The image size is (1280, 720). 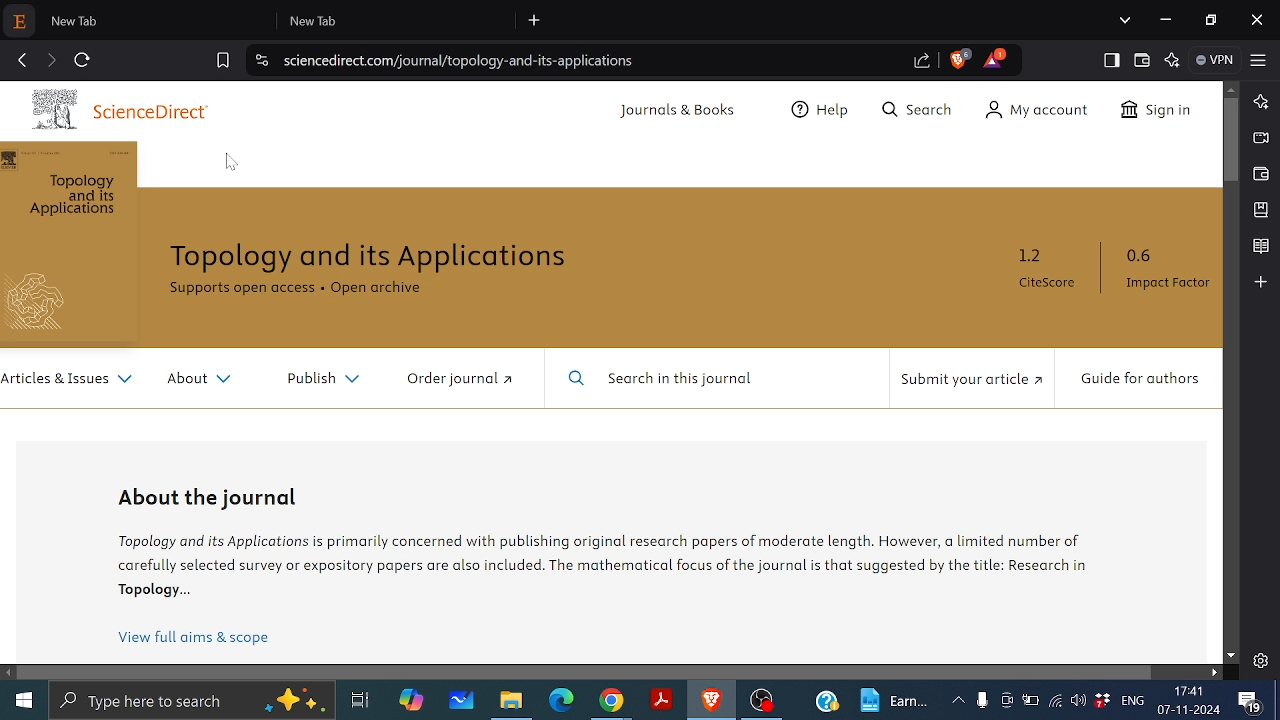 I want to click on cursor, so click(x=239, y=160).